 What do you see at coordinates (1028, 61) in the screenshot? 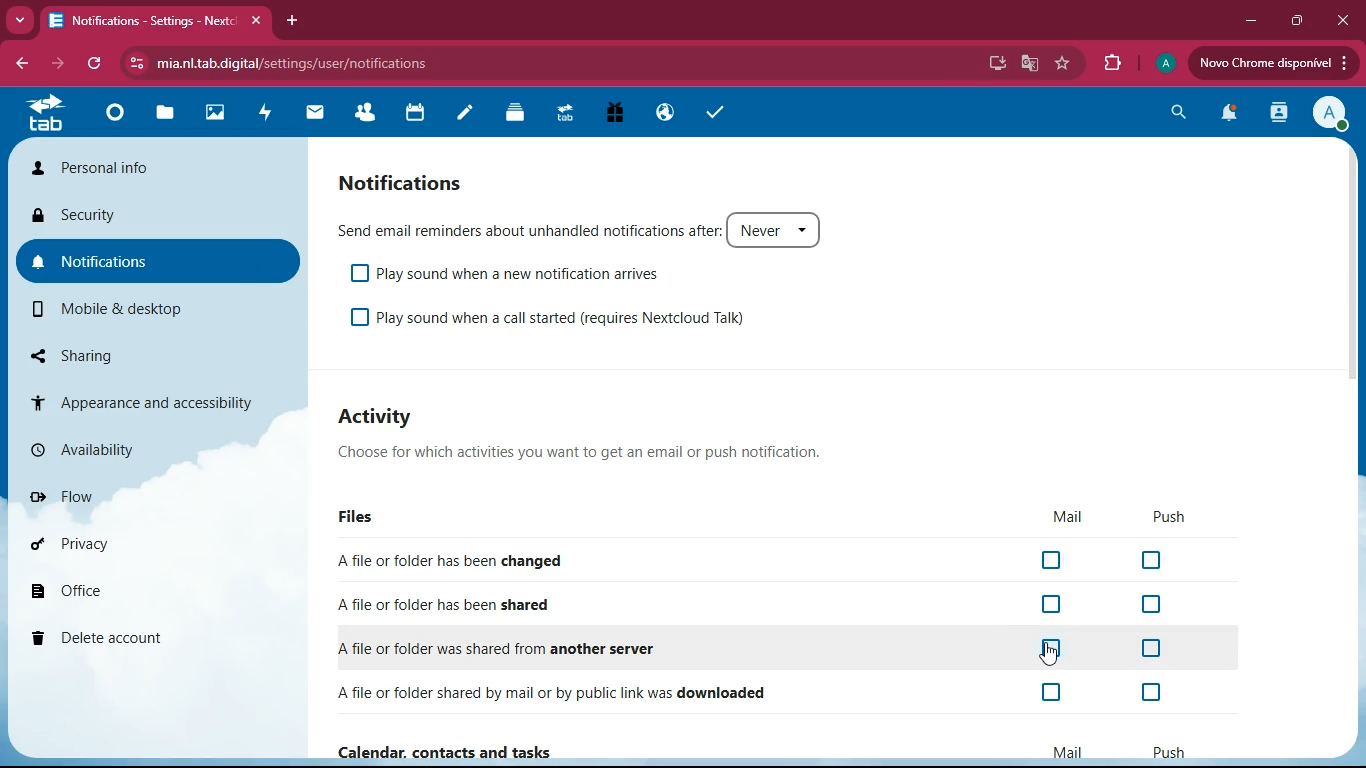
I see `google translate` at bounding box center [1028, 61].